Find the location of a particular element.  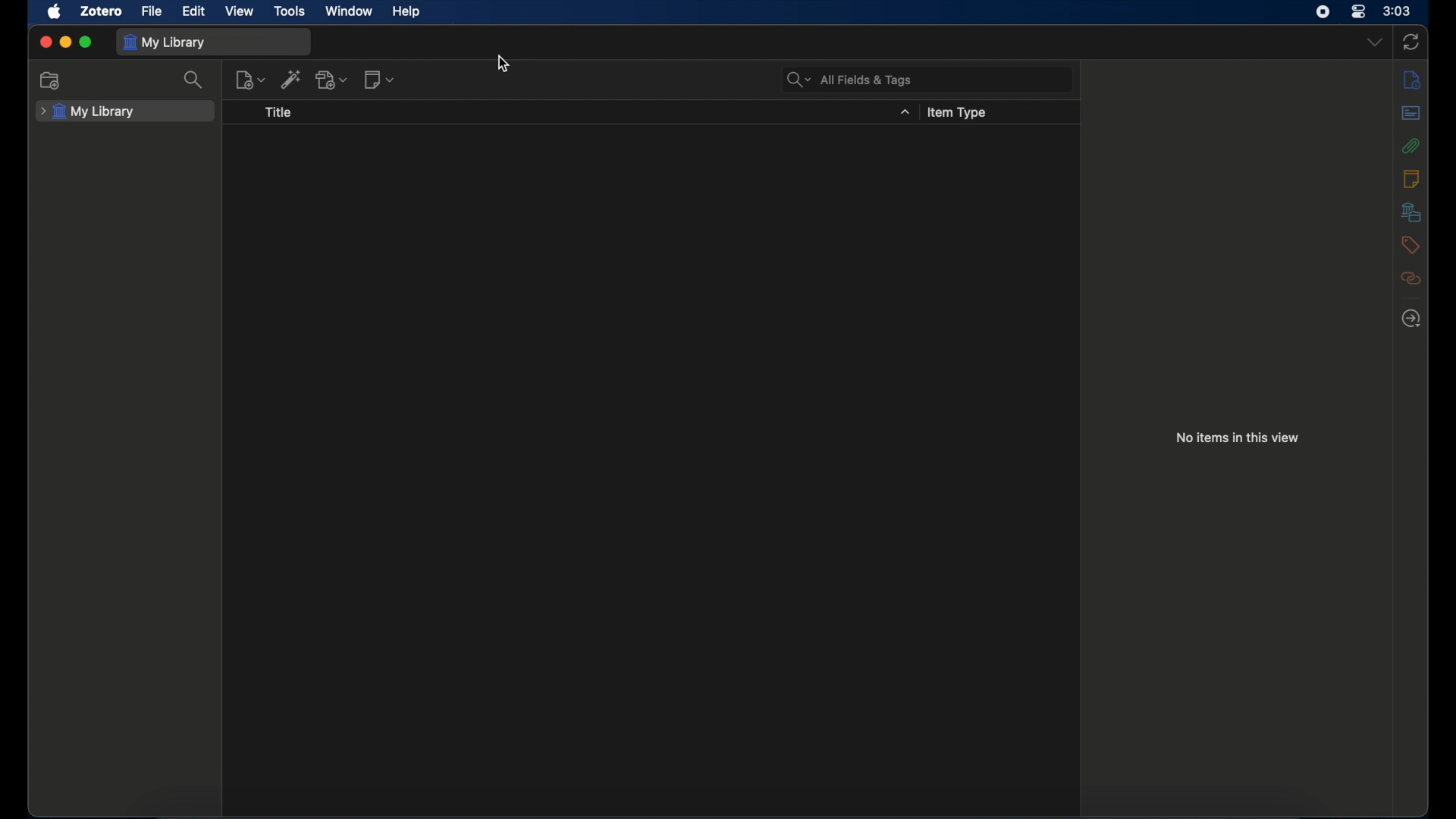

no items in this view is located at coordinates (1238, 437).